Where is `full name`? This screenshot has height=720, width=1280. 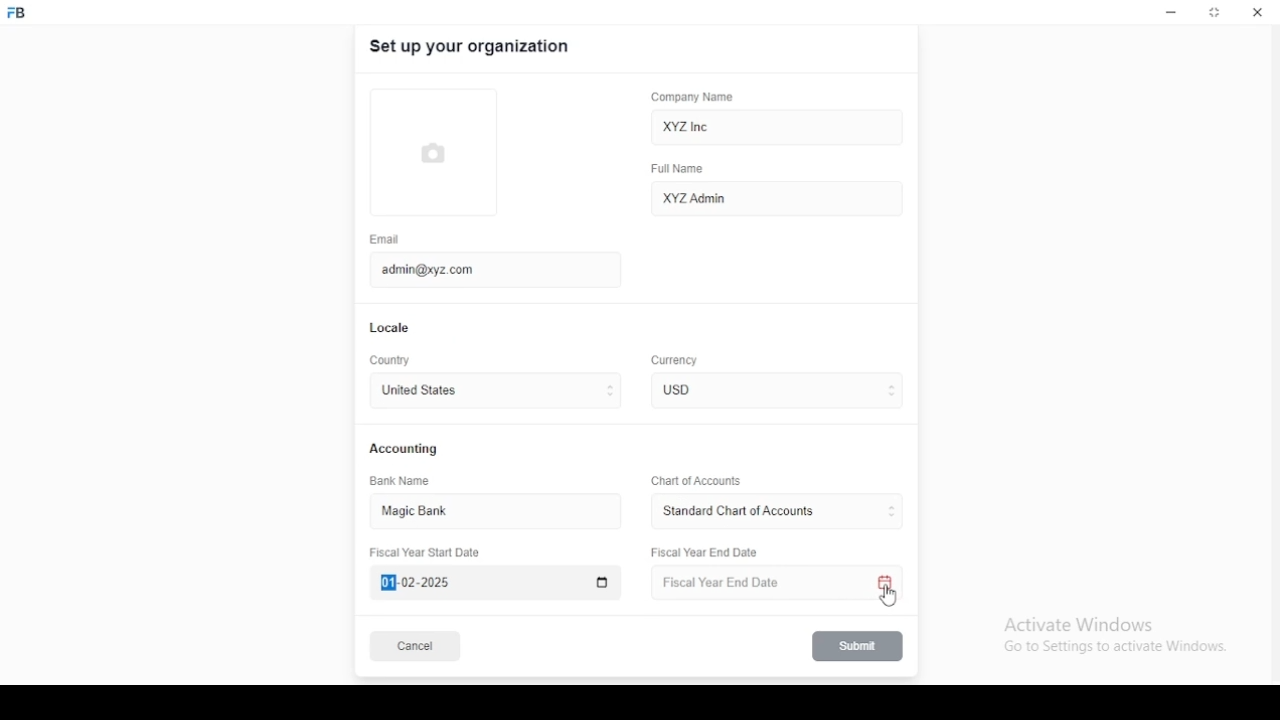
full name is located at coordinates (683, 169).